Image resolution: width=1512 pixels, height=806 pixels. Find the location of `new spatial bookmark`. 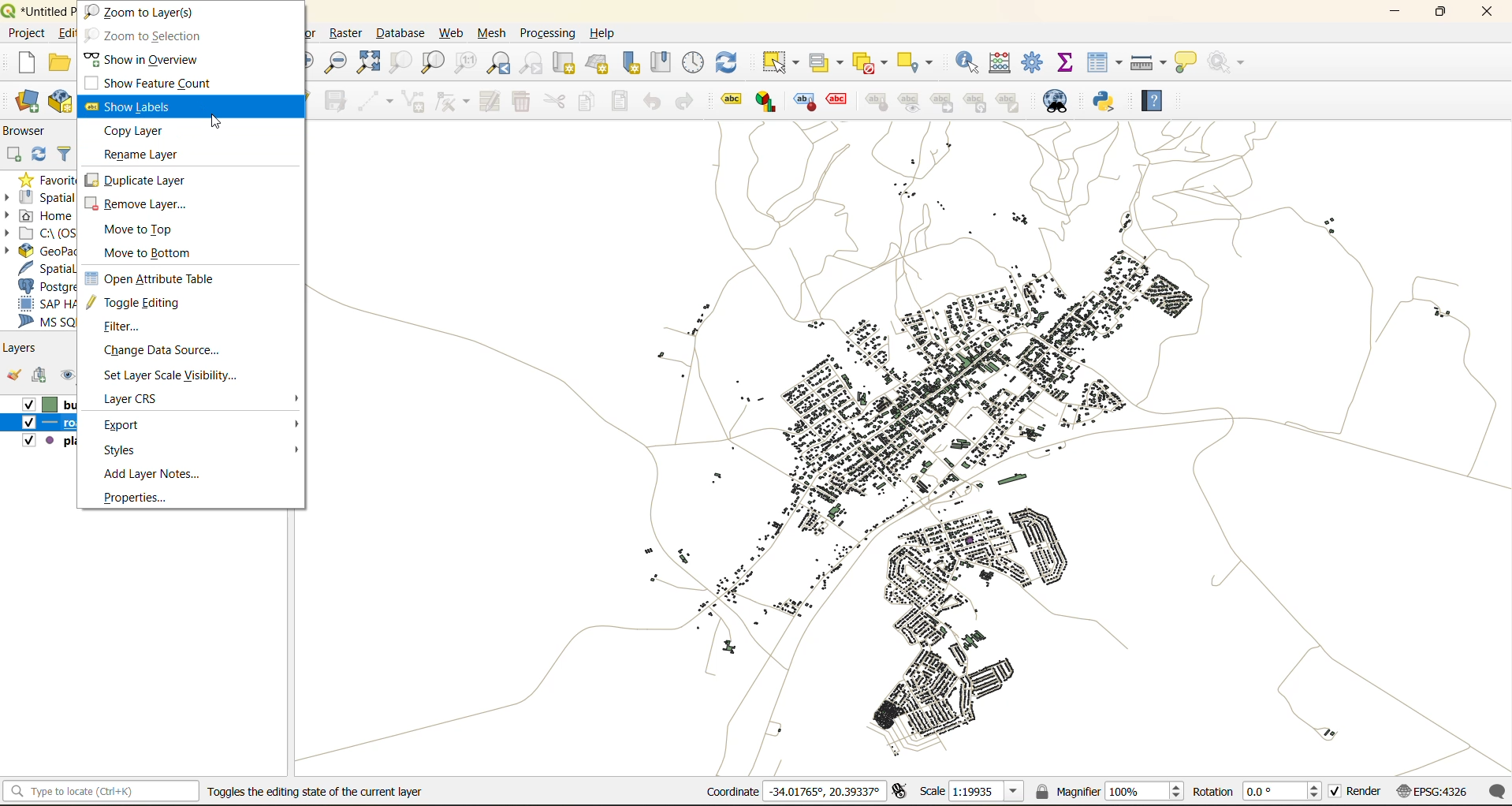

new spatial bookmark is located at coordinates (628, 64).